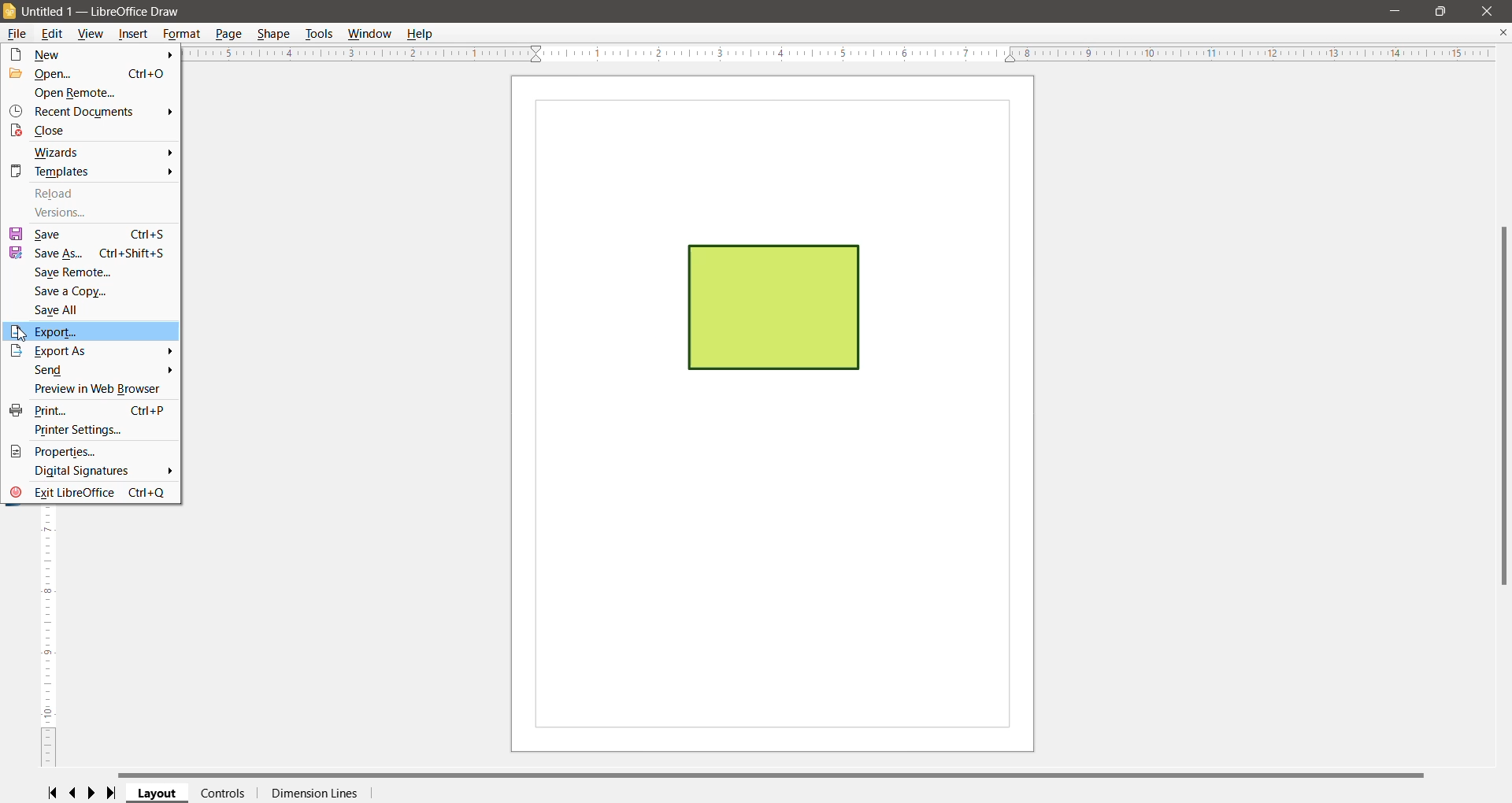  Describe the element at coordinates (1395, 9) in the screenshot. I see `Minimize` at that location.